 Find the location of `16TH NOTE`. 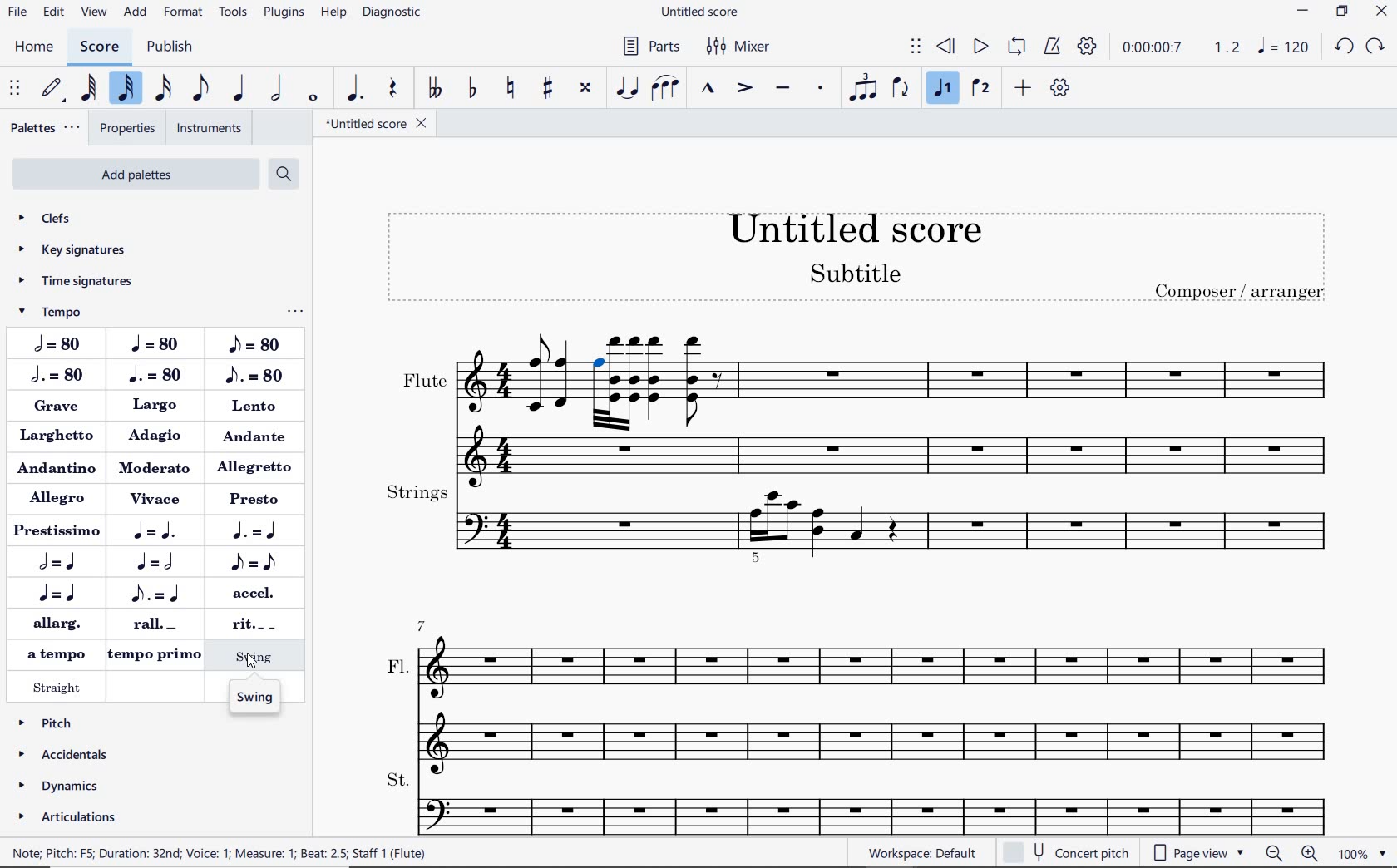

16TH NOTE is located at coordinates (164, 91).